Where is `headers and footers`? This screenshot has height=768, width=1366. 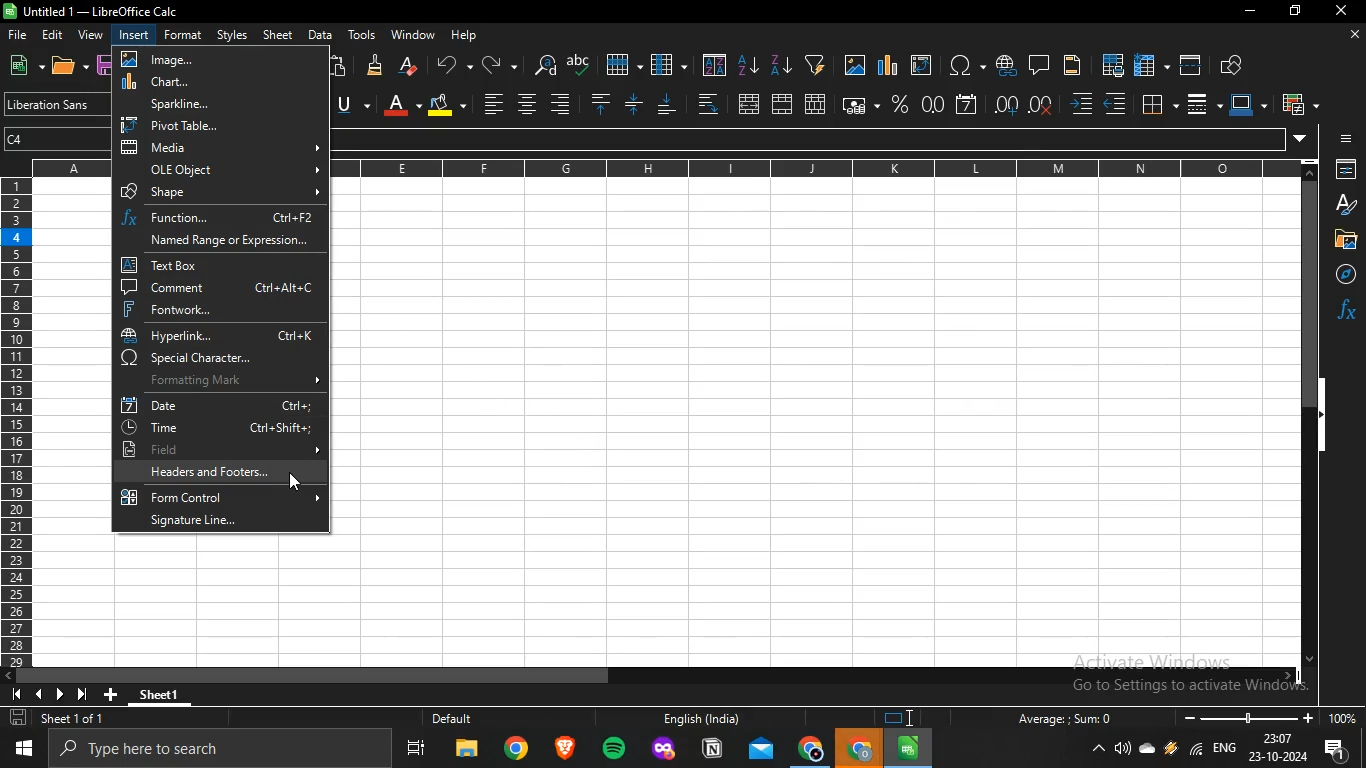
headers and footers is located at coordinates (224, 472).